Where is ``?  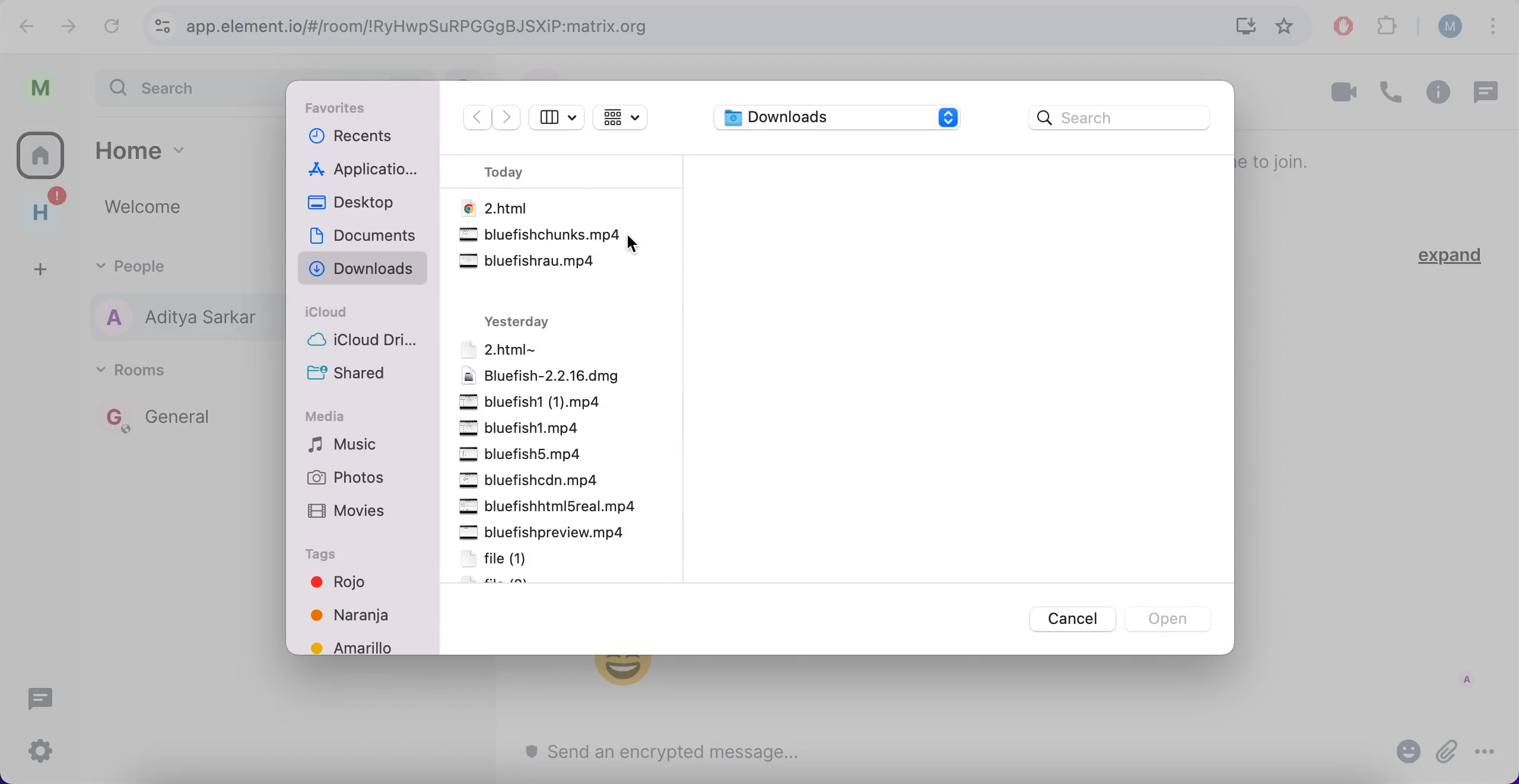  is located at coordinates (471, 118).